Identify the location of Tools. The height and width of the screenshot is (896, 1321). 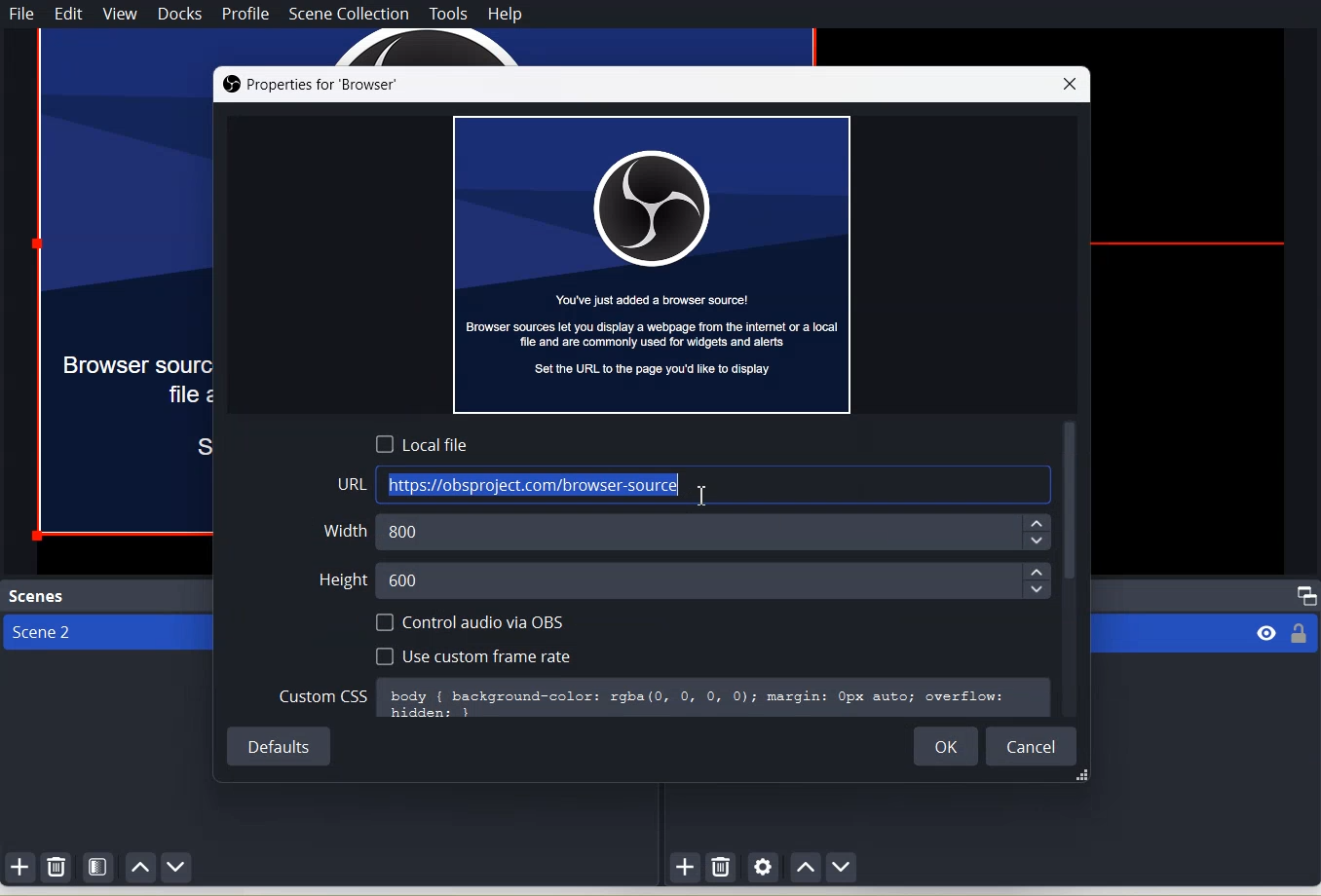
(450, 13).